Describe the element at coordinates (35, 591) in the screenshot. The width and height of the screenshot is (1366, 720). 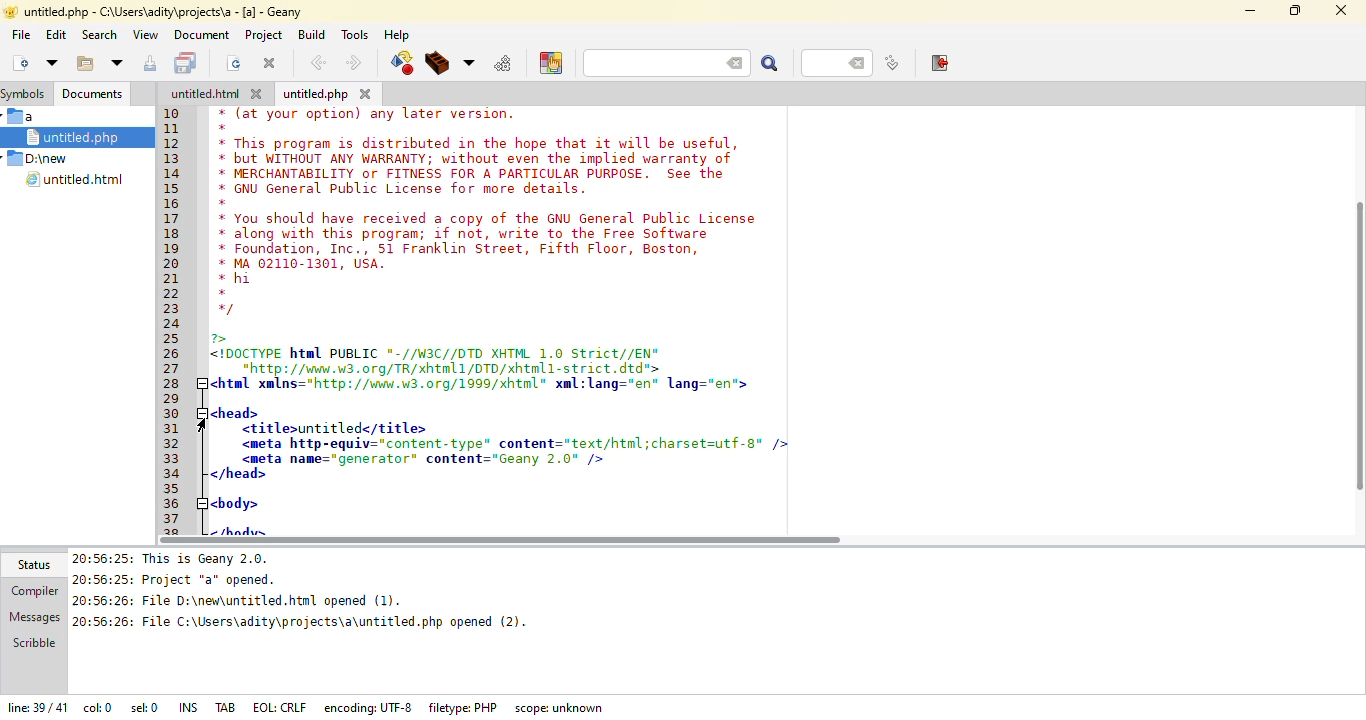
I see `compiler` at that location.